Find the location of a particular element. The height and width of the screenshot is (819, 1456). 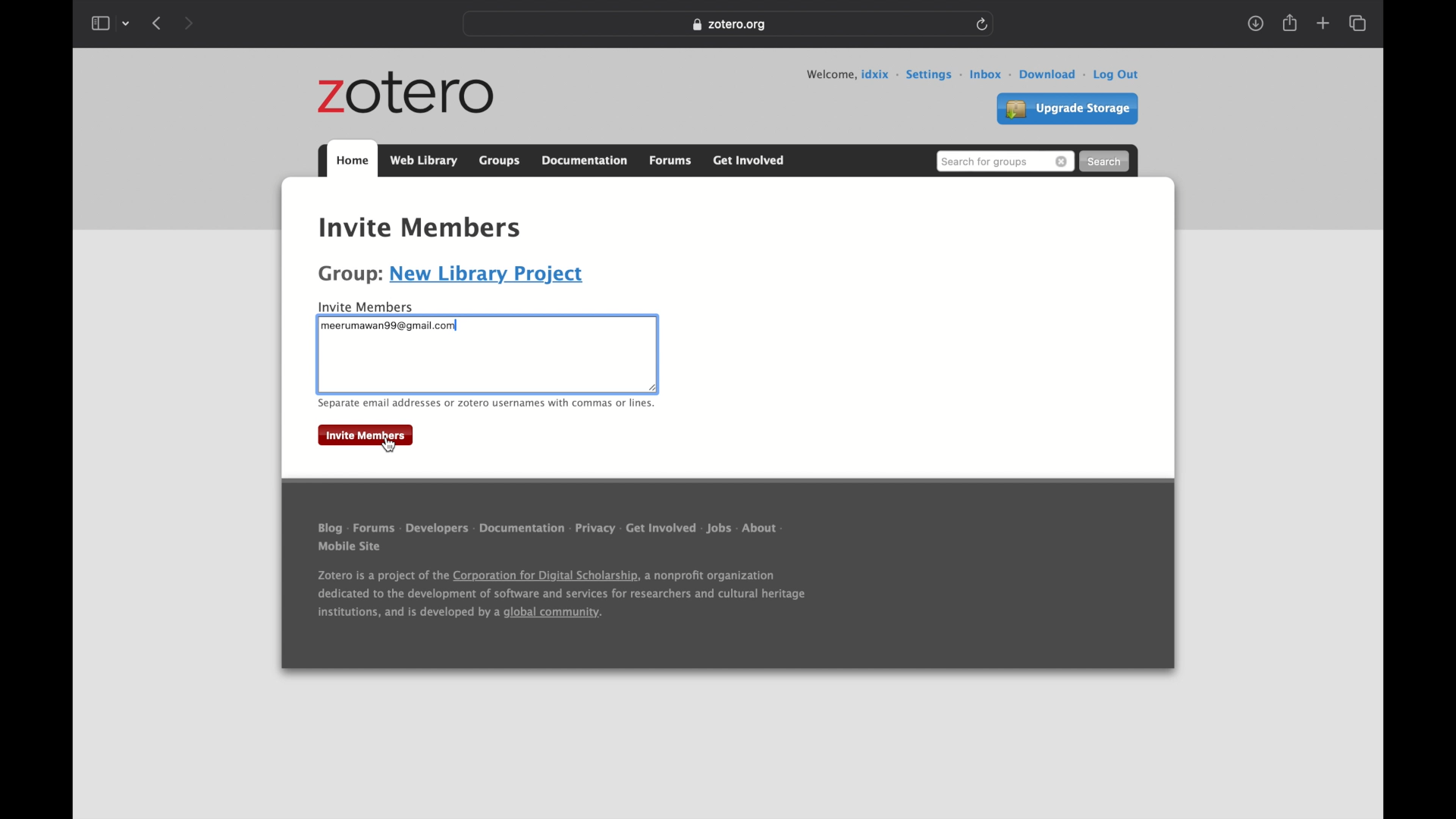

documentation is located at coordinates (523, 530).